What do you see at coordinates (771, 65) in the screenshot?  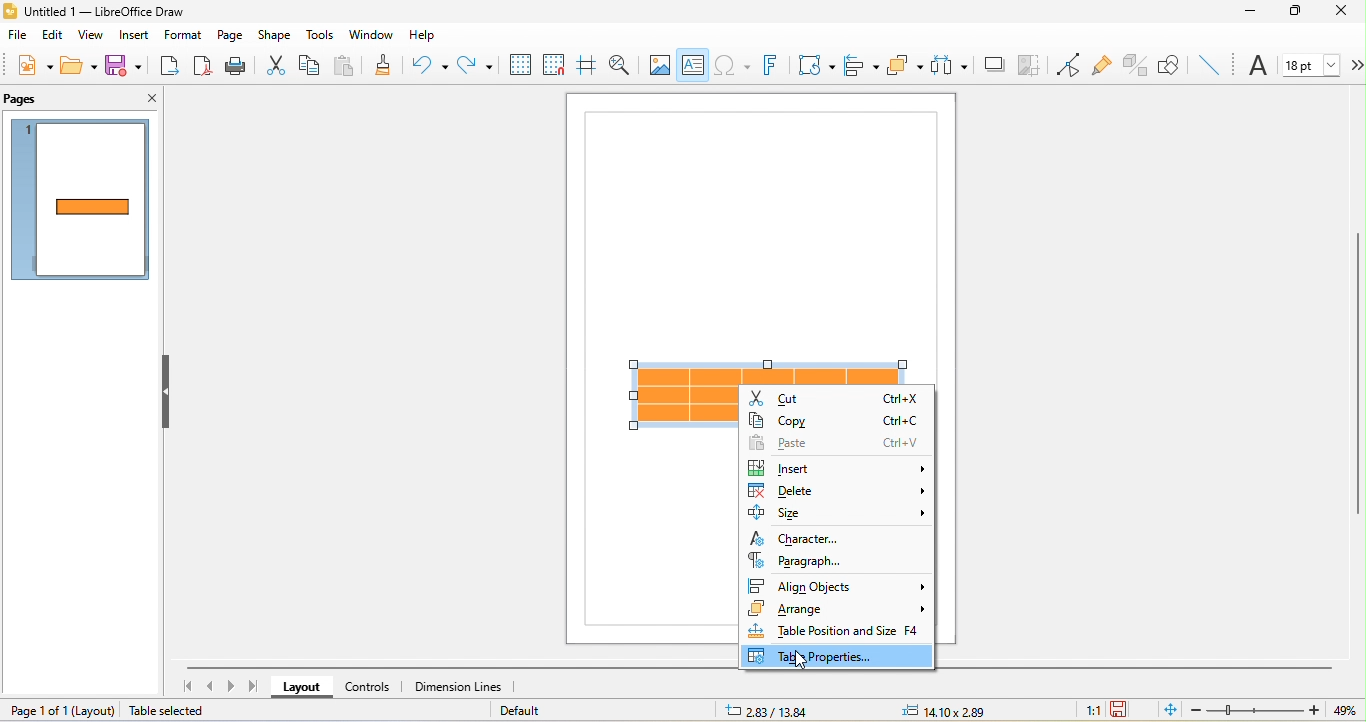 I see `fontwork text ` at bounding box center [771, 65].